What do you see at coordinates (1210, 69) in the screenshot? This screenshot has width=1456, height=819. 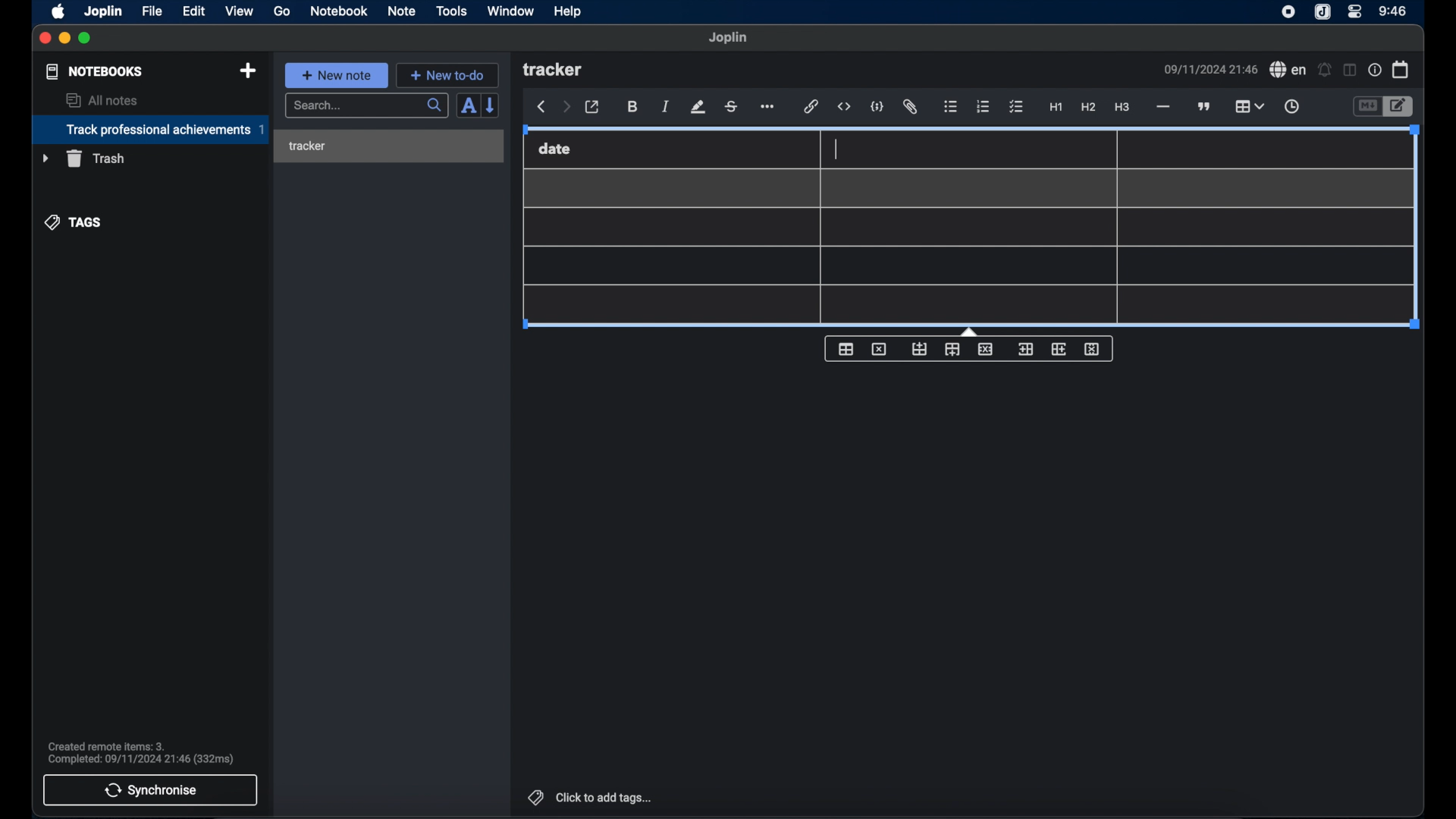 I see `date and time` at bounding box center [1210, 69].